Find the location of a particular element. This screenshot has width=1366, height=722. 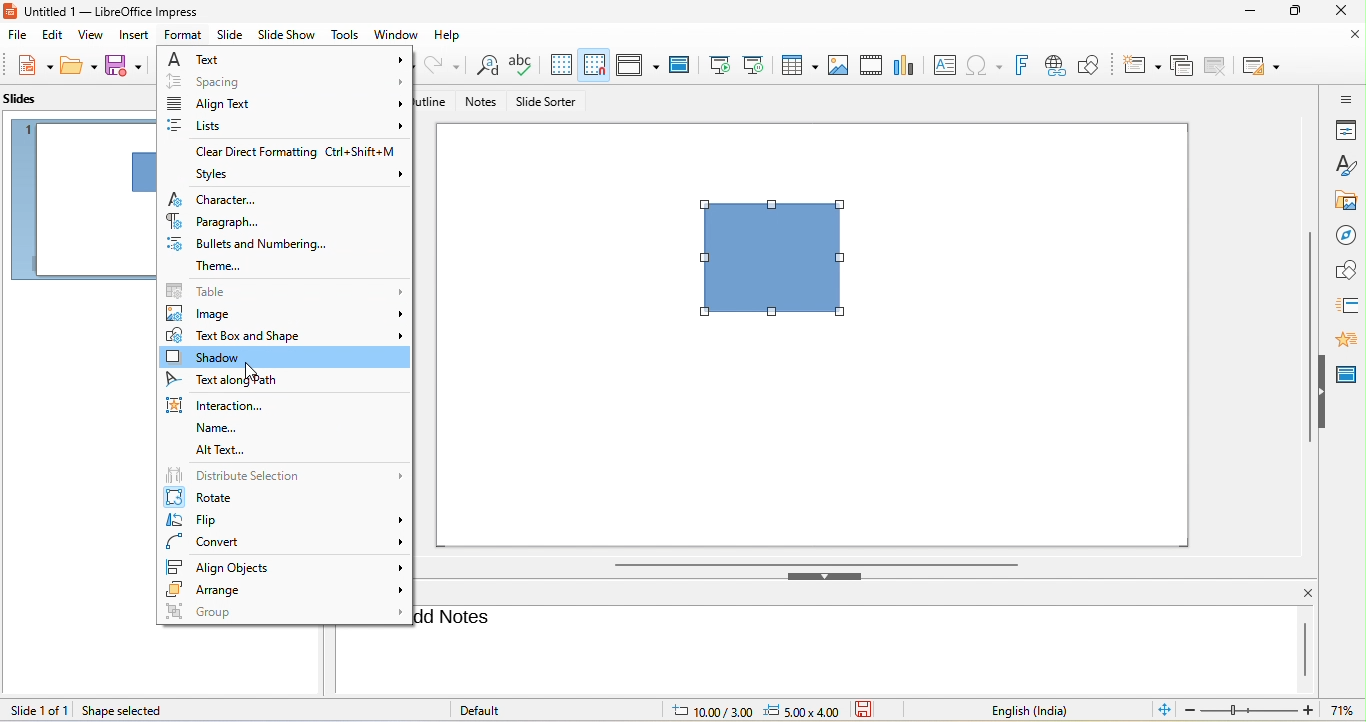

slide is located at coordinates (231, 35).